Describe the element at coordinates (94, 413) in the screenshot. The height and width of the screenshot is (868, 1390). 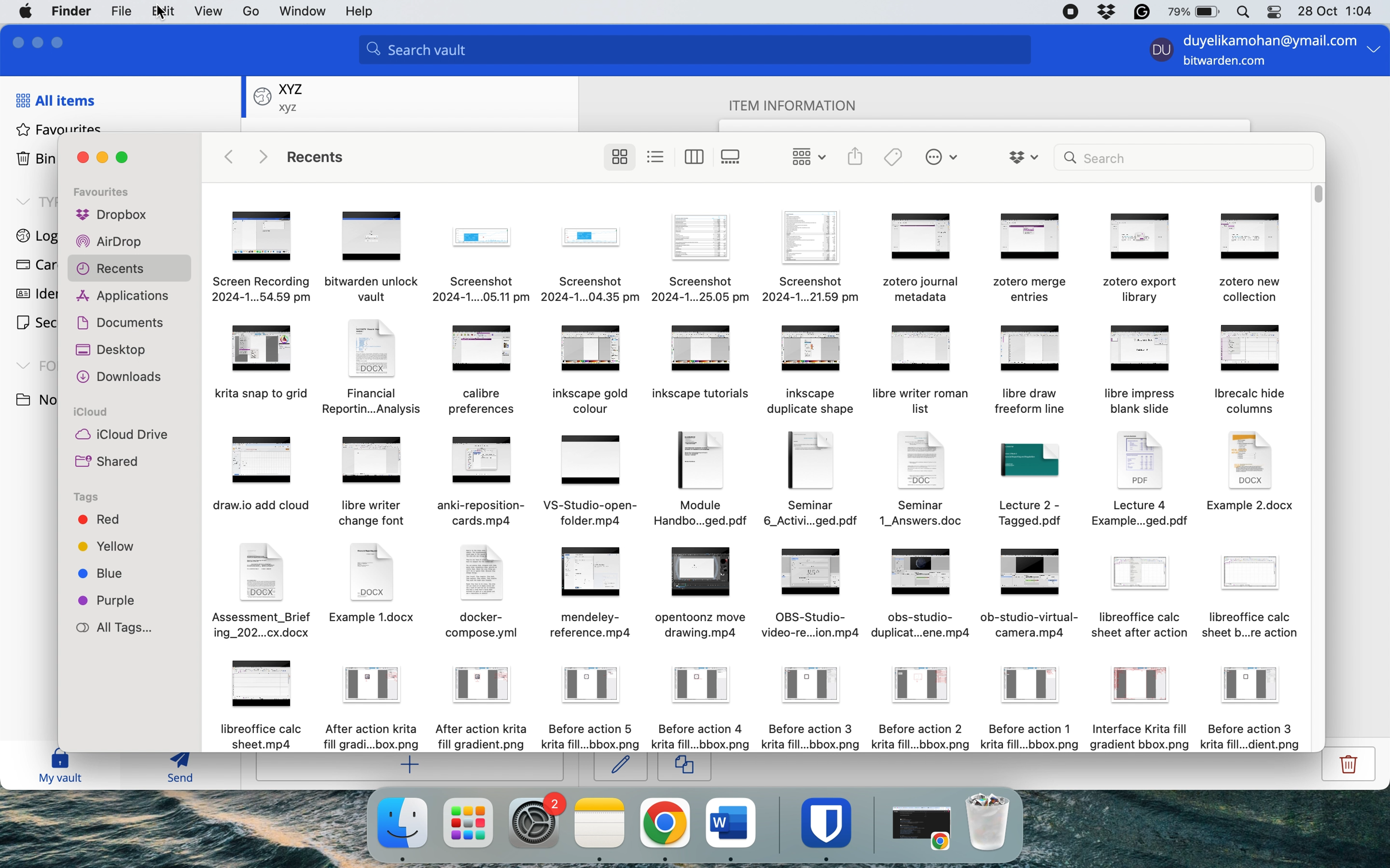
I see `icloud` at that location.